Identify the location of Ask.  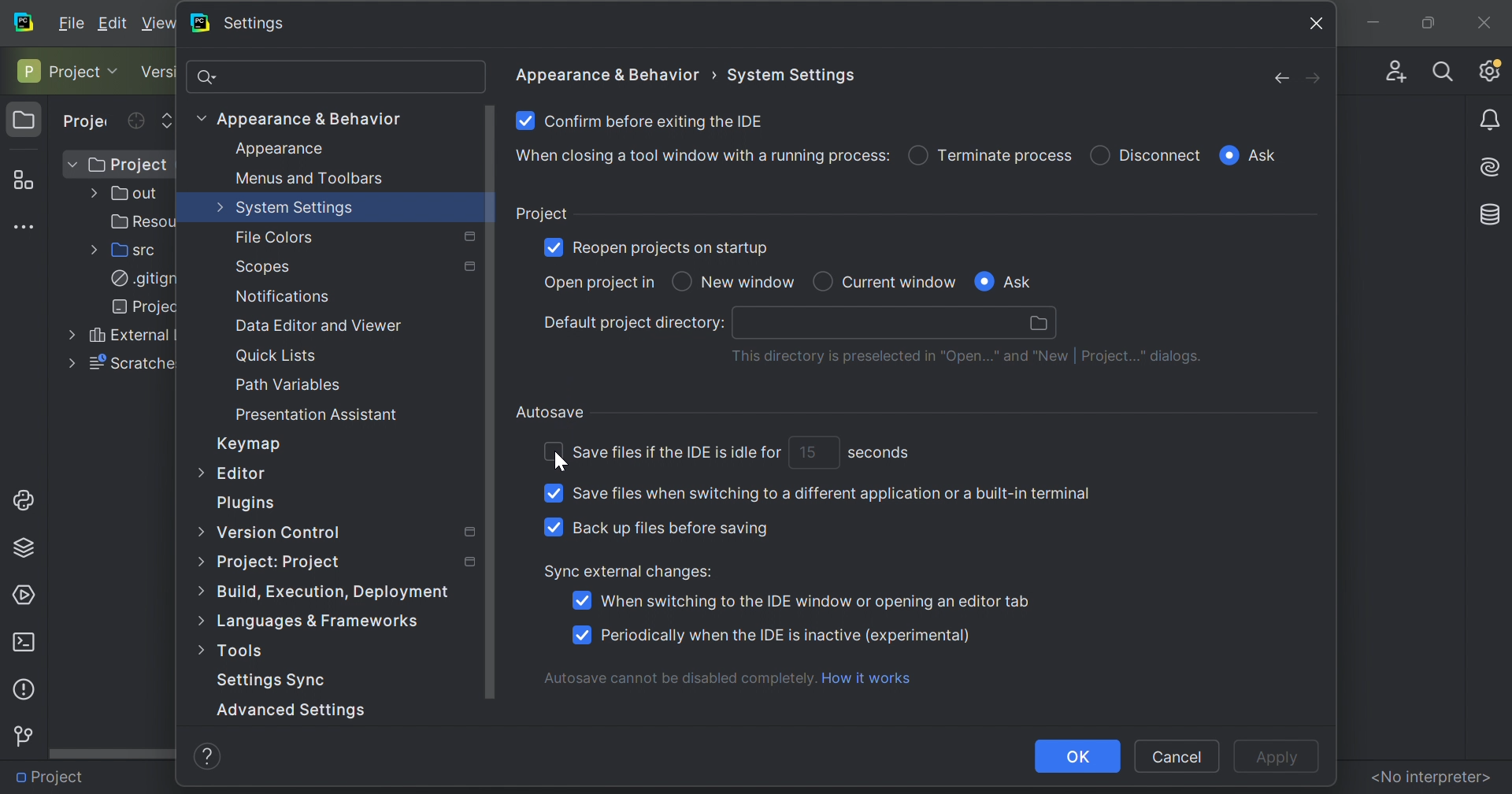
(1266, 156).